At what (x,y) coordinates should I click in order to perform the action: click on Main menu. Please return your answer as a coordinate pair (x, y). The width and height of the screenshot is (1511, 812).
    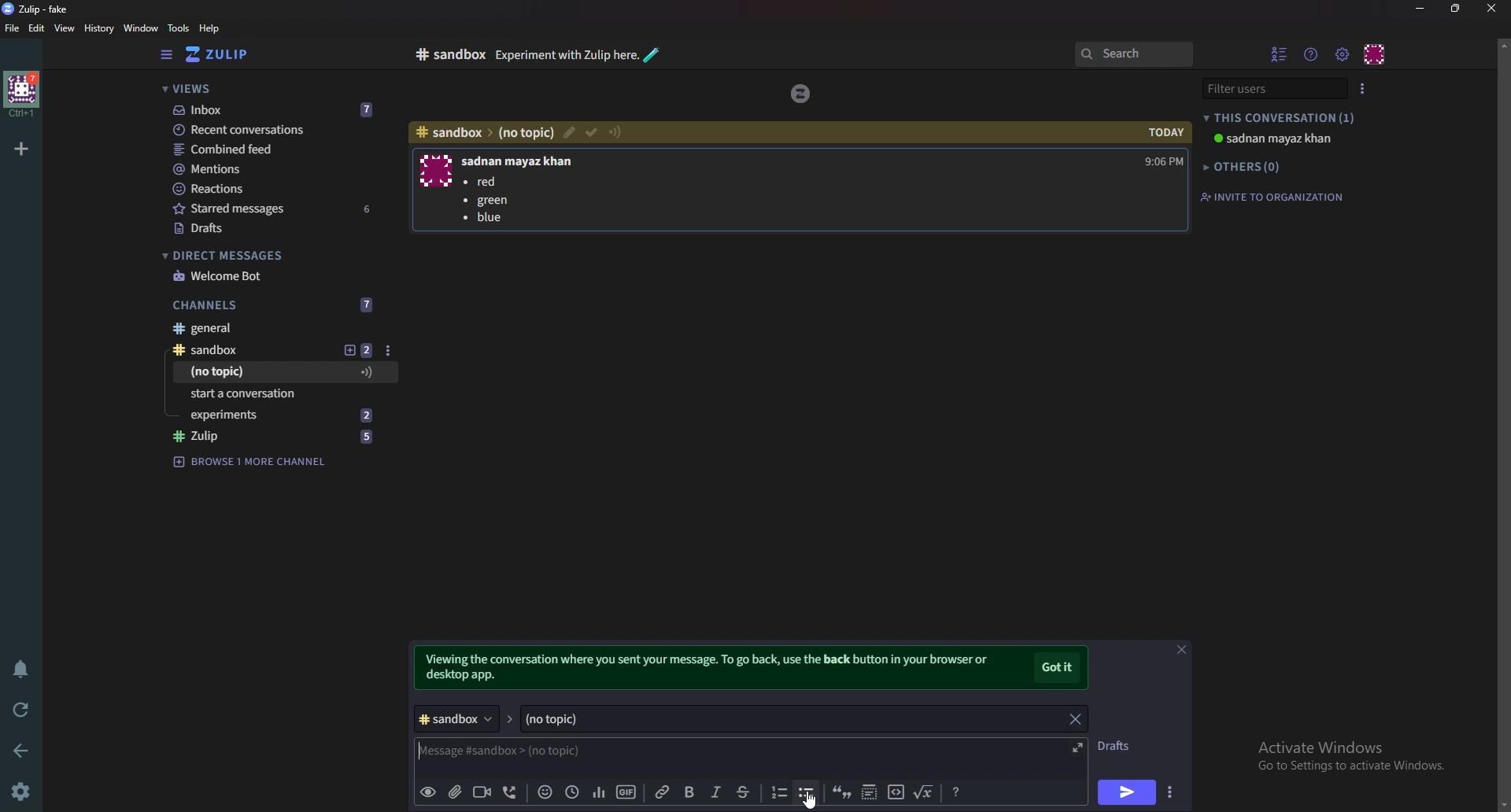
    Looking at the image, I should click on (1342, 55).